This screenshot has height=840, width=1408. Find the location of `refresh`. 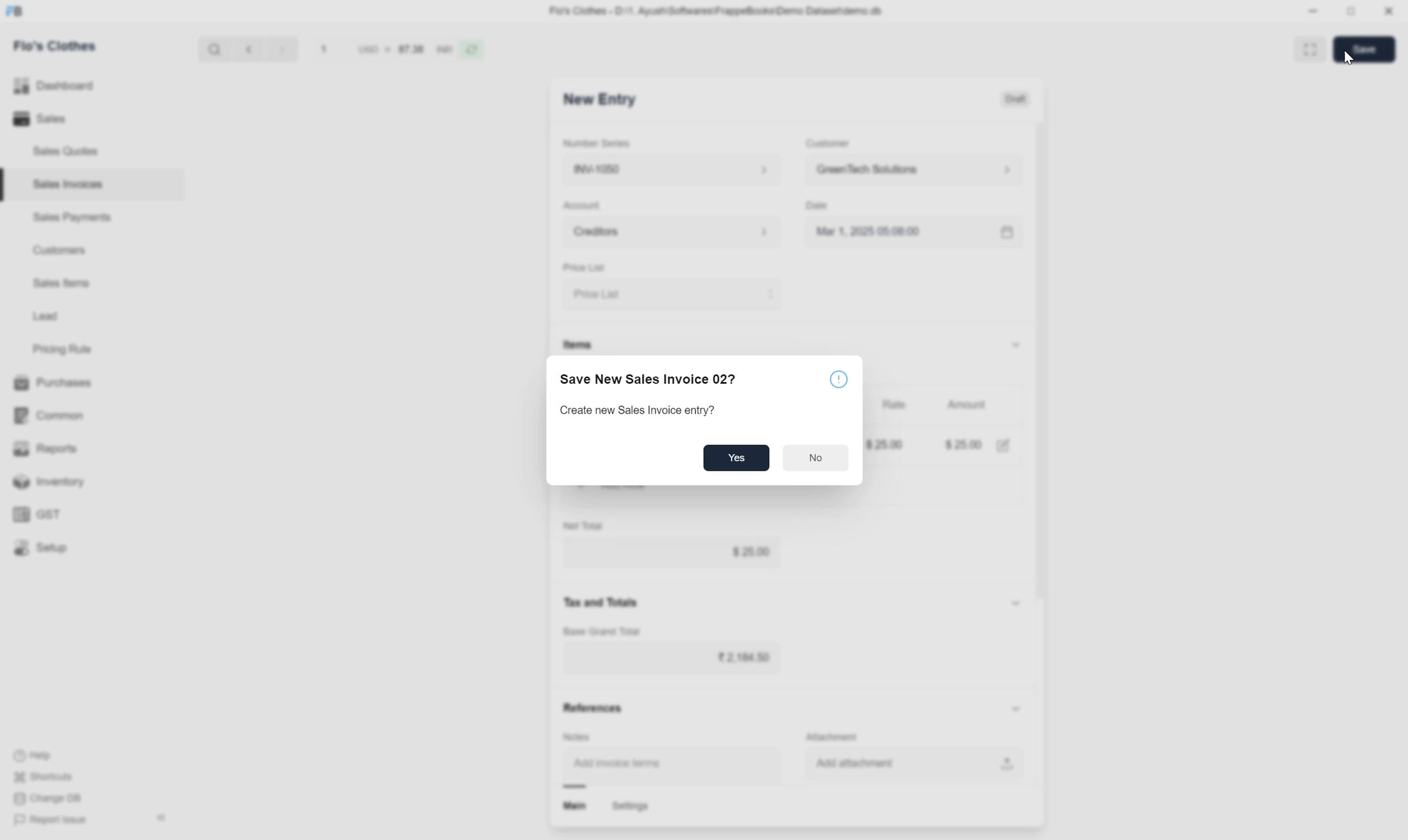

refresh is located at coordinates (475, 53).